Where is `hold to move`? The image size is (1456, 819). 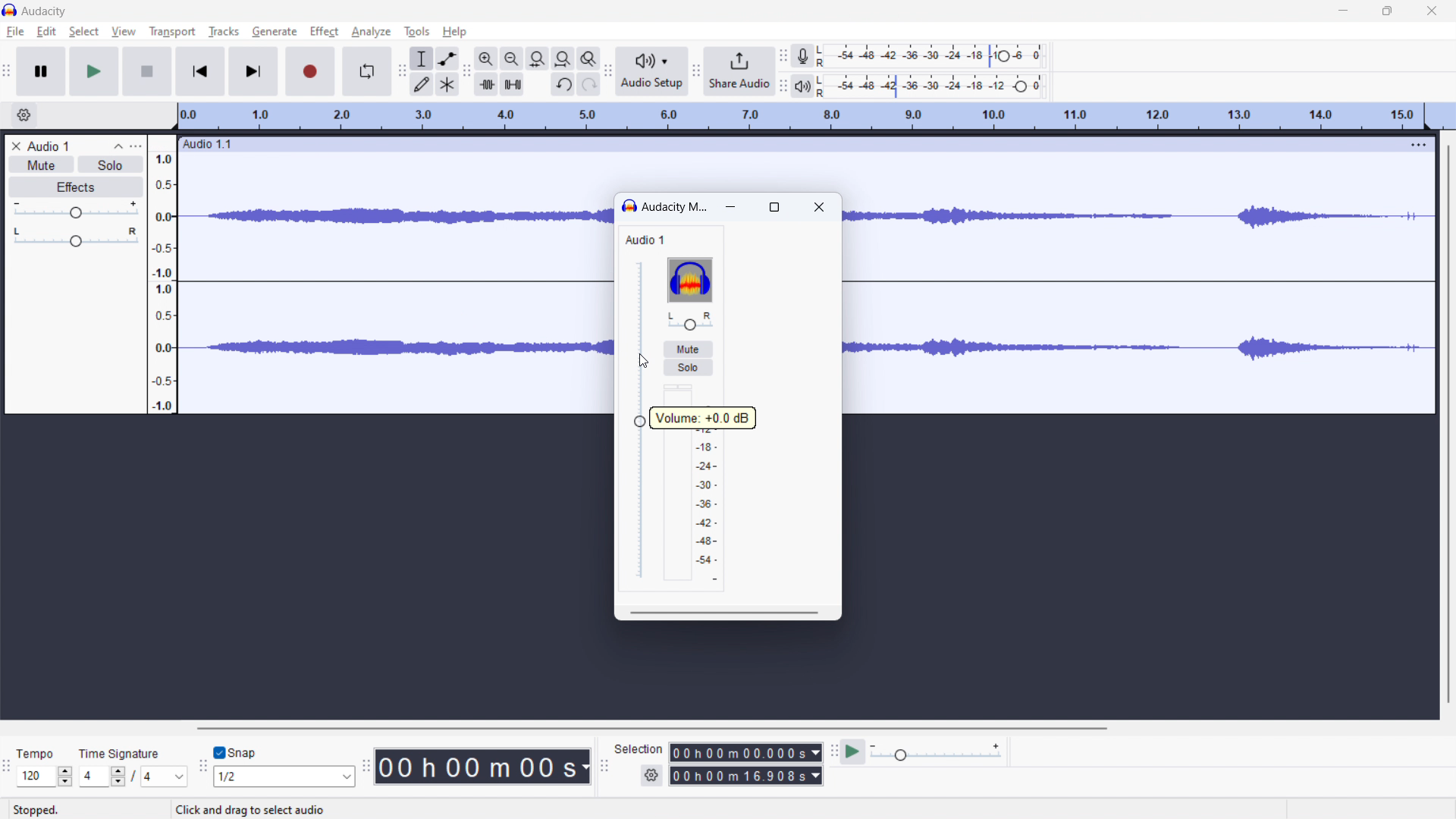 hold to move is located at coordinates (789, 143).